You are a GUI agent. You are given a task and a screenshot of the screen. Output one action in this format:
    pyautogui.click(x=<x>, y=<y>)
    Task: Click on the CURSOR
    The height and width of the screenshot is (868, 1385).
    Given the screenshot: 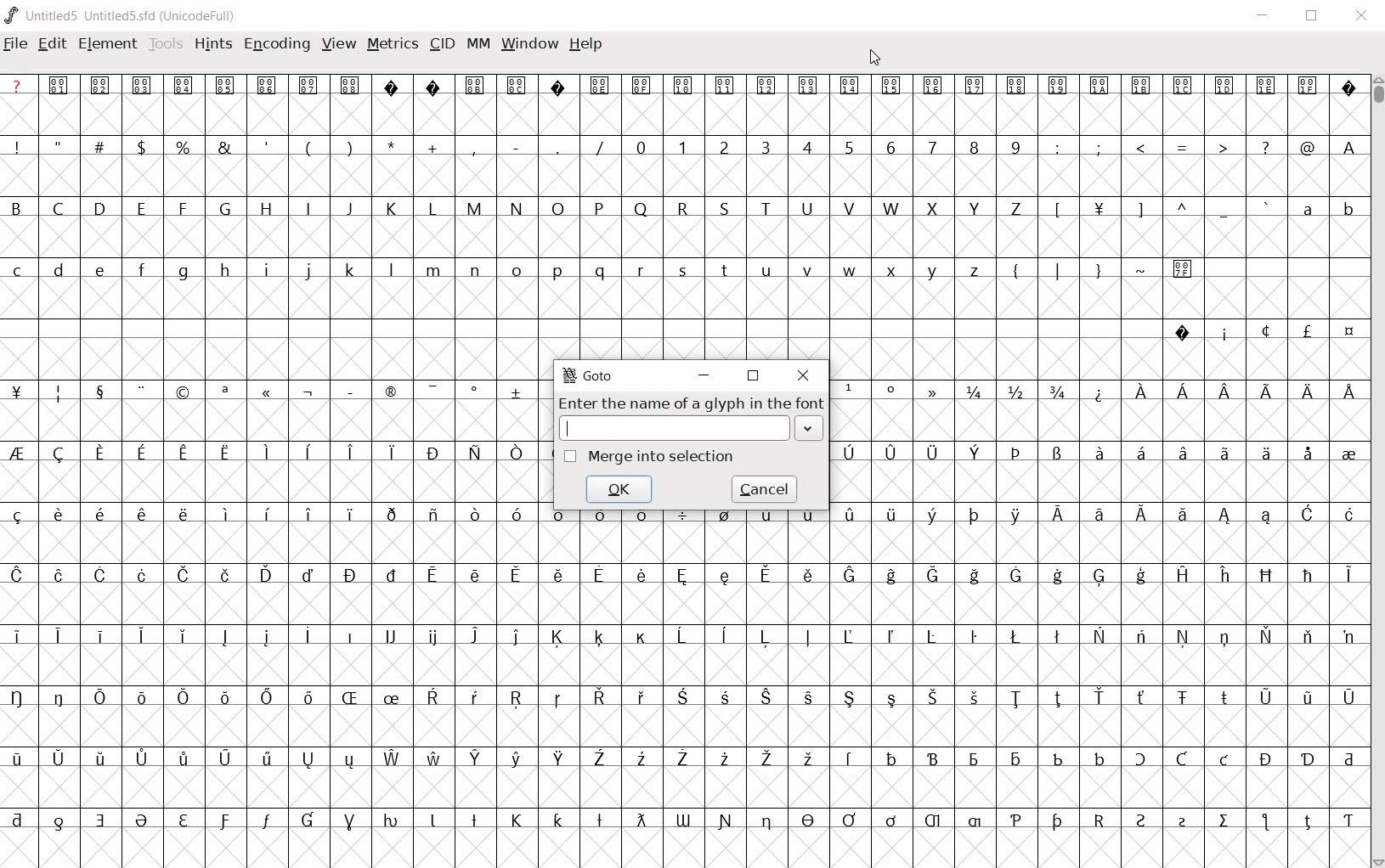 What is the action you would take?
    pyautogui.click(x=874, y=59)
    